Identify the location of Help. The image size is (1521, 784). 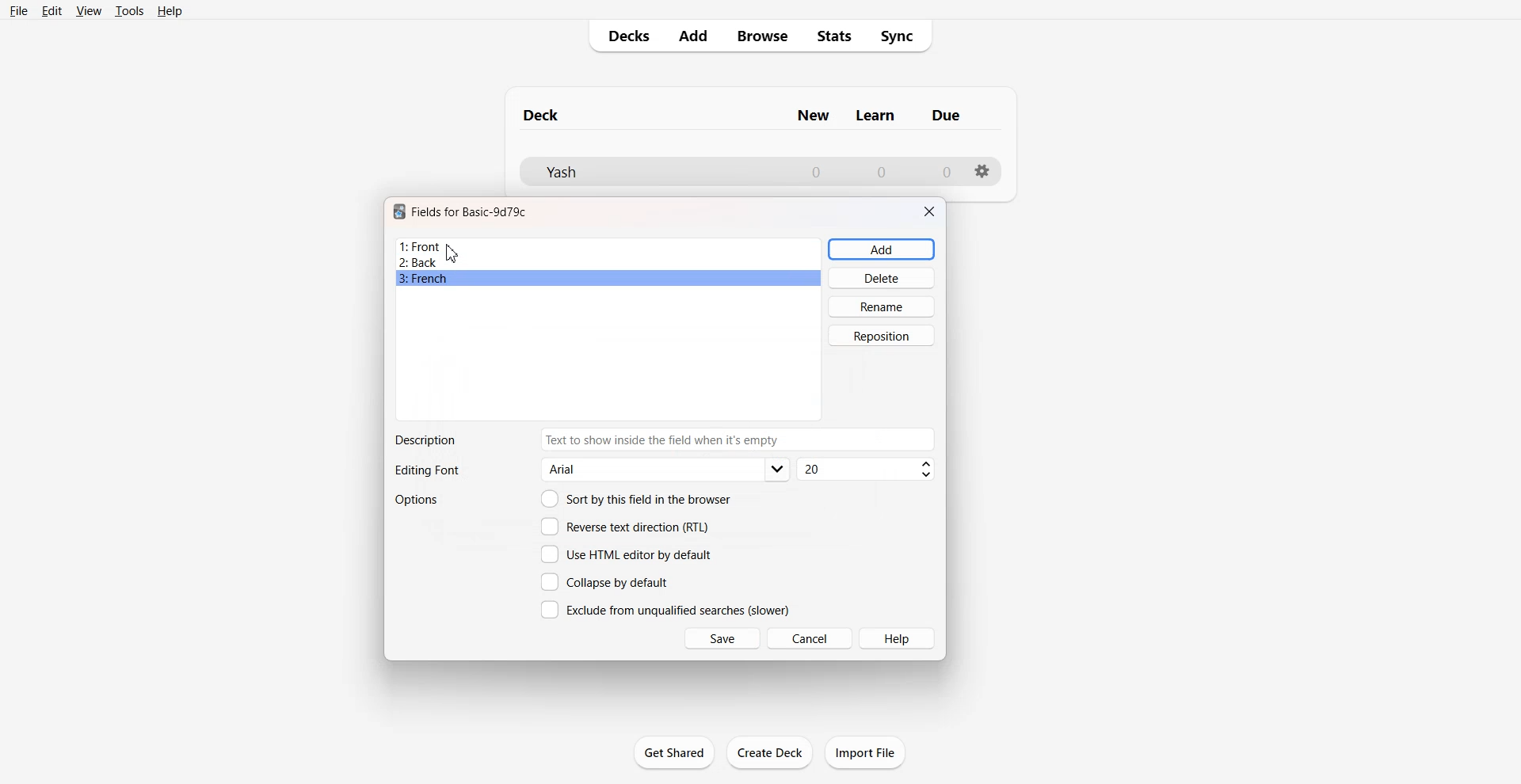
(898, 638).